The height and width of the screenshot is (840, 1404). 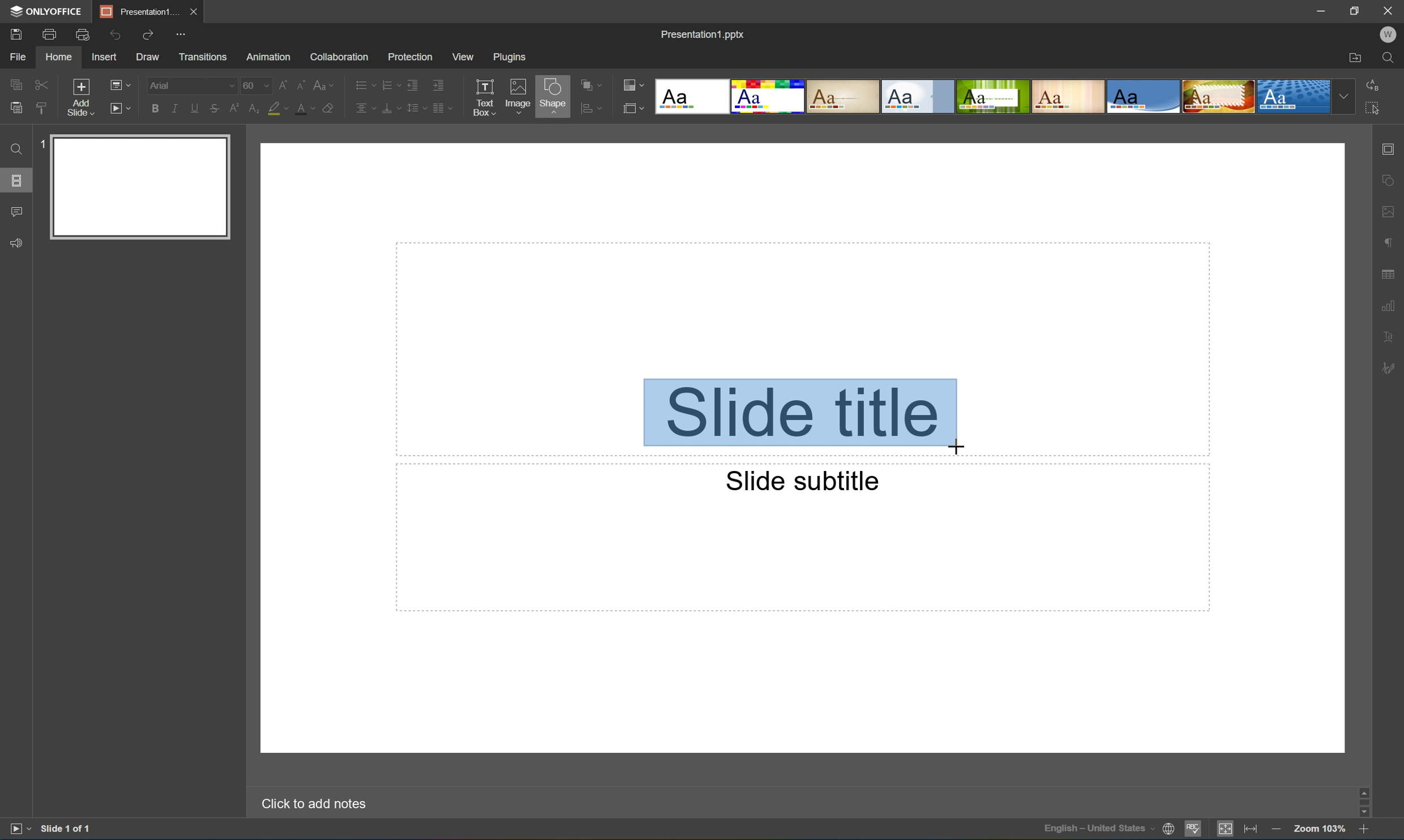 What do you see at coordinates (194, 108) in the screenshot?
I see `Underline` at bounding box center [194, 108].